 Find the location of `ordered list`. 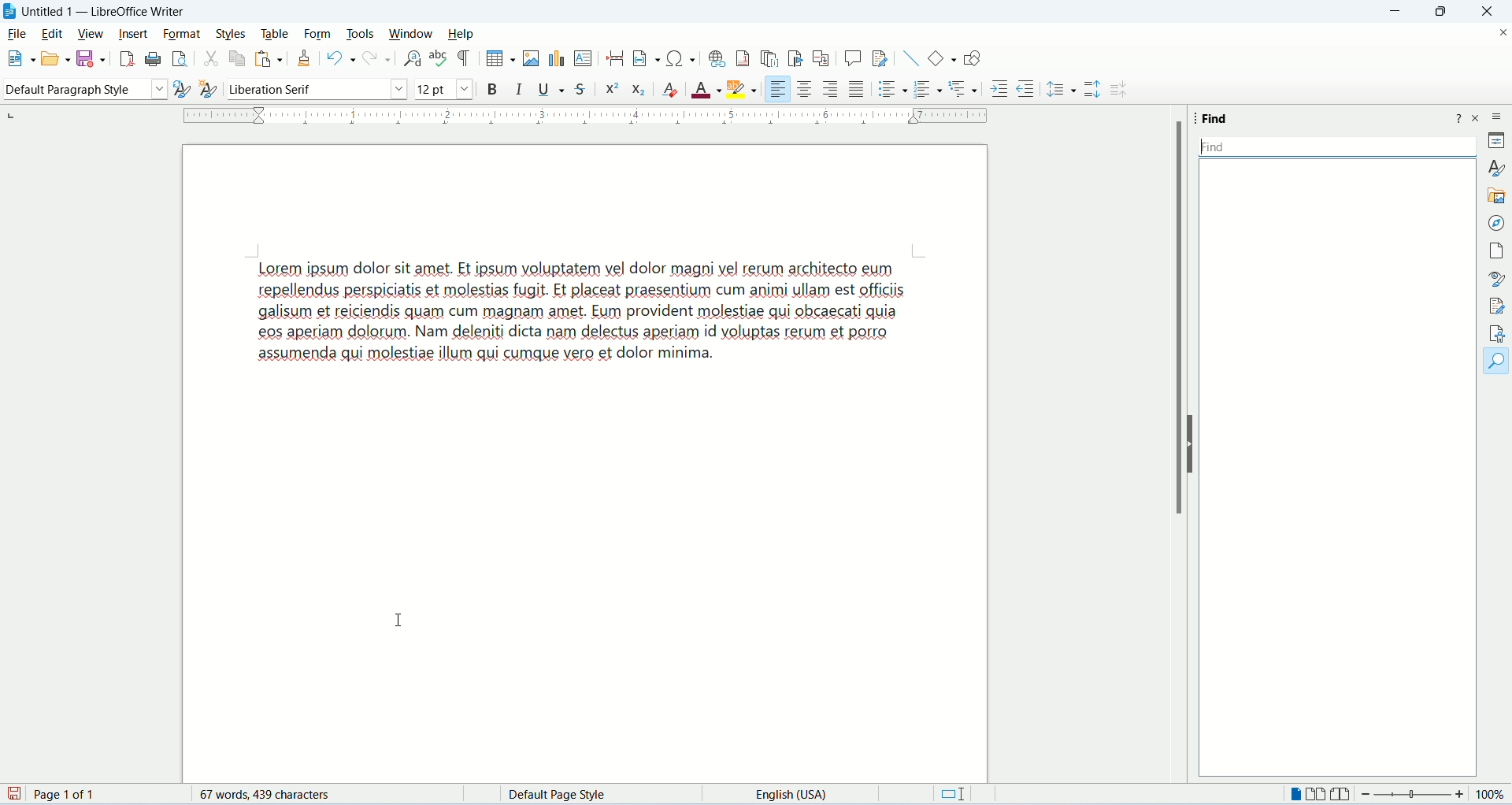

ordered list is located at coordinates (921, 89).